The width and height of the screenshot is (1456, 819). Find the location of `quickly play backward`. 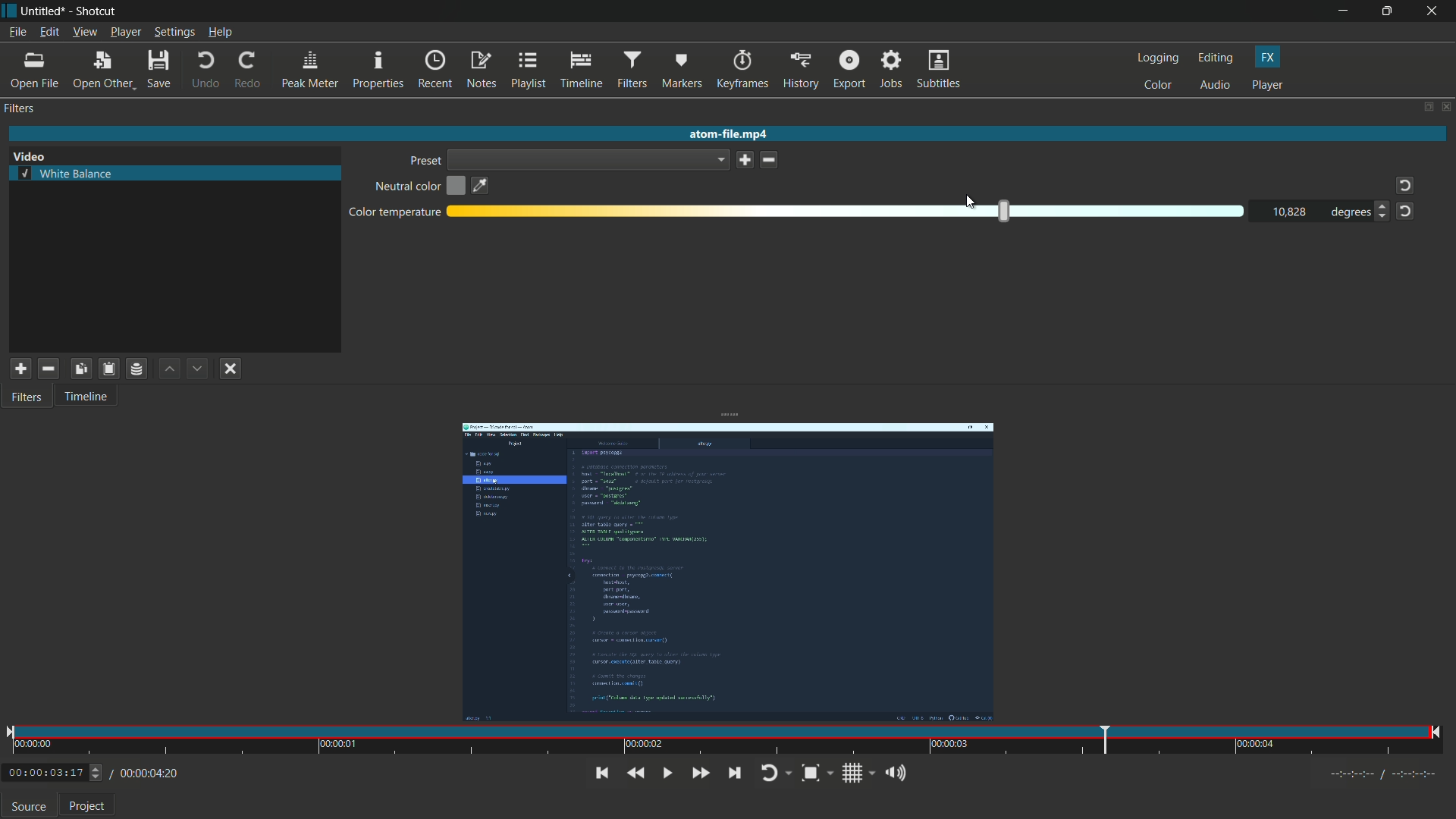

quickly play backward is located at coordinates (635, 773).